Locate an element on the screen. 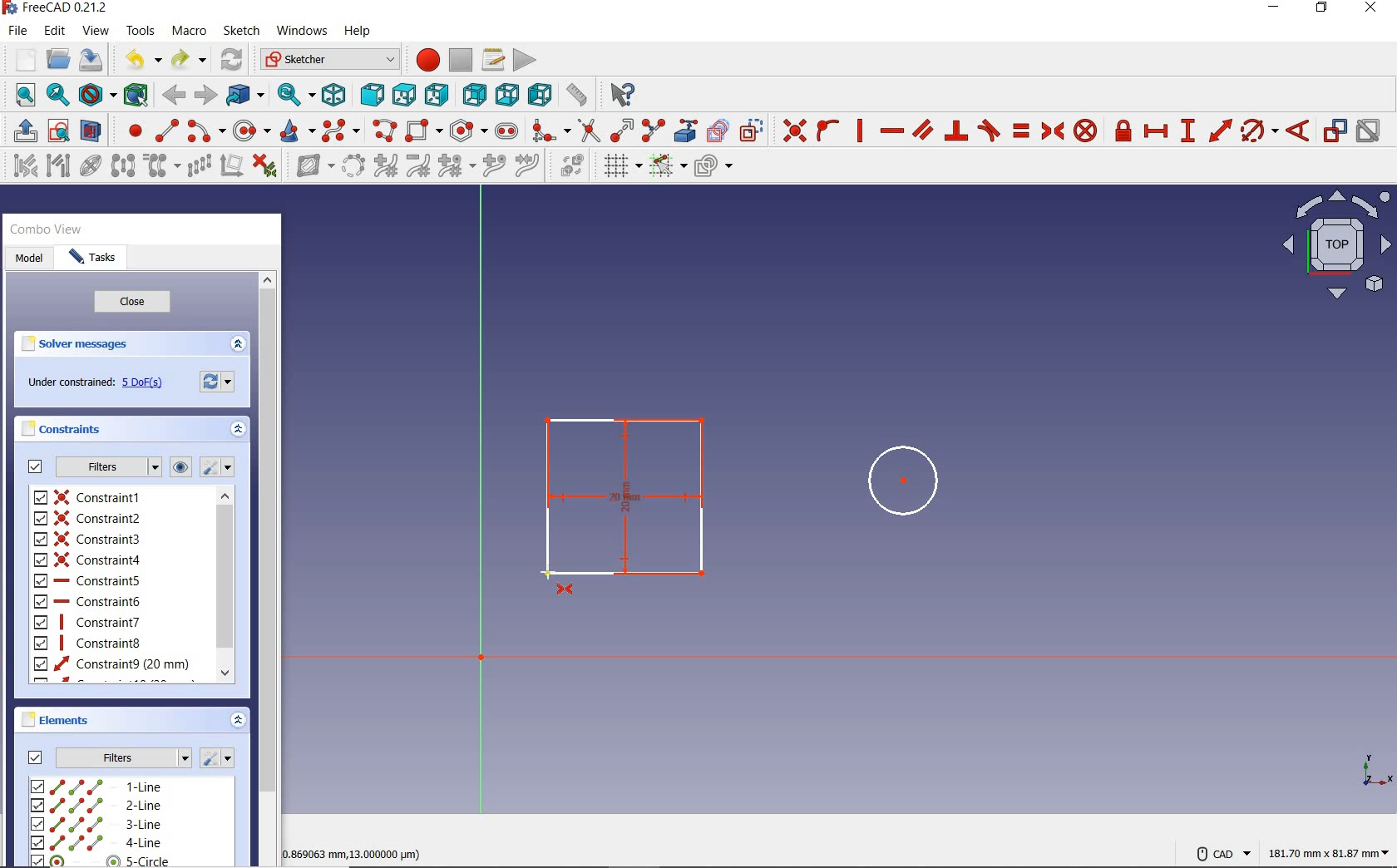  constrain distance is located at coordinates (1218, 131).